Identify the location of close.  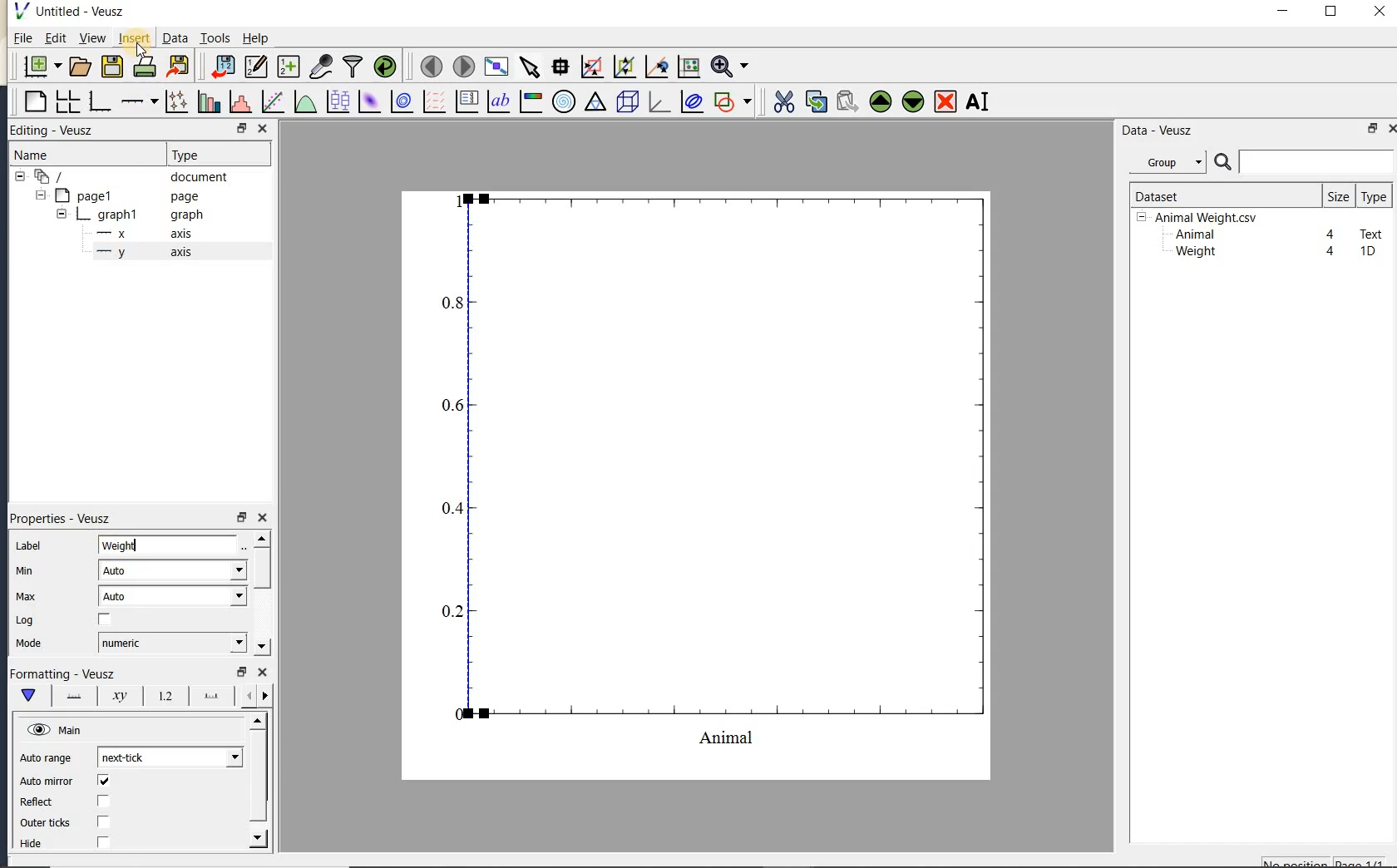
(262, 518).